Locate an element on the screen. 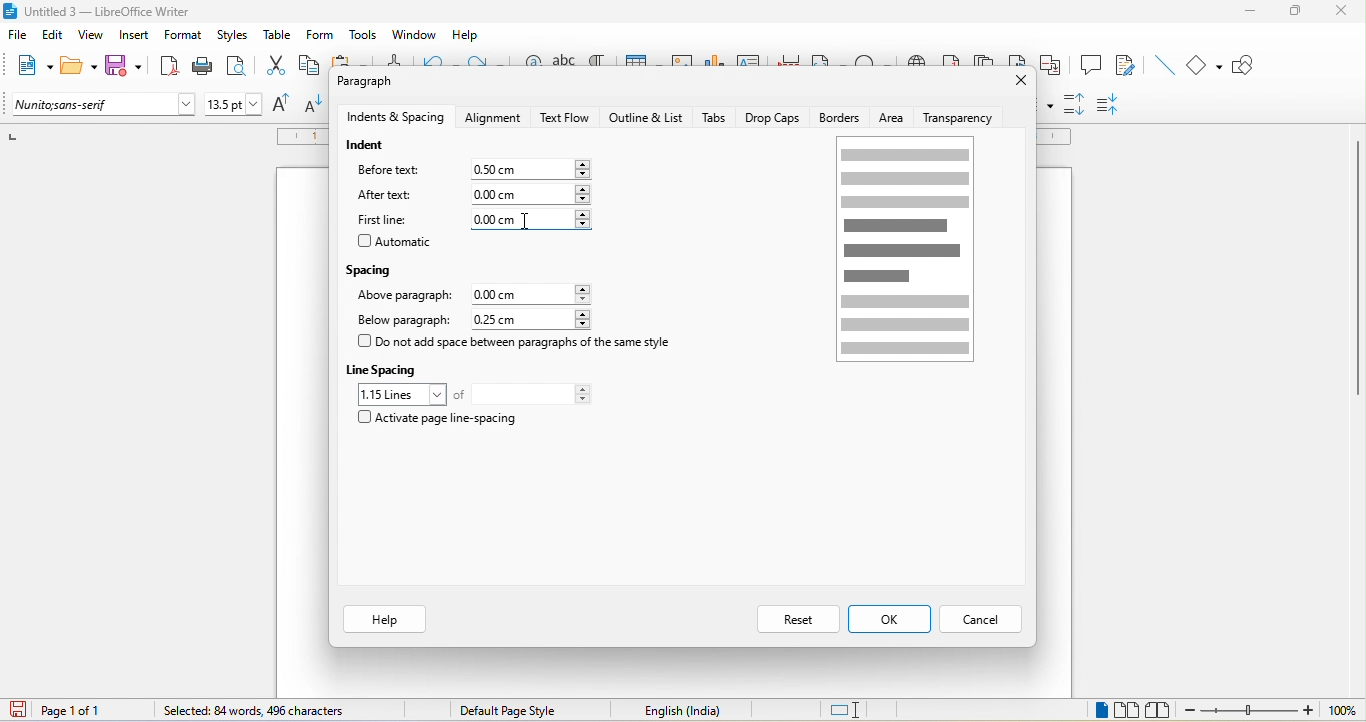 This screenshot has height=722, width=1366. copy is located at coordinates (310, 67).